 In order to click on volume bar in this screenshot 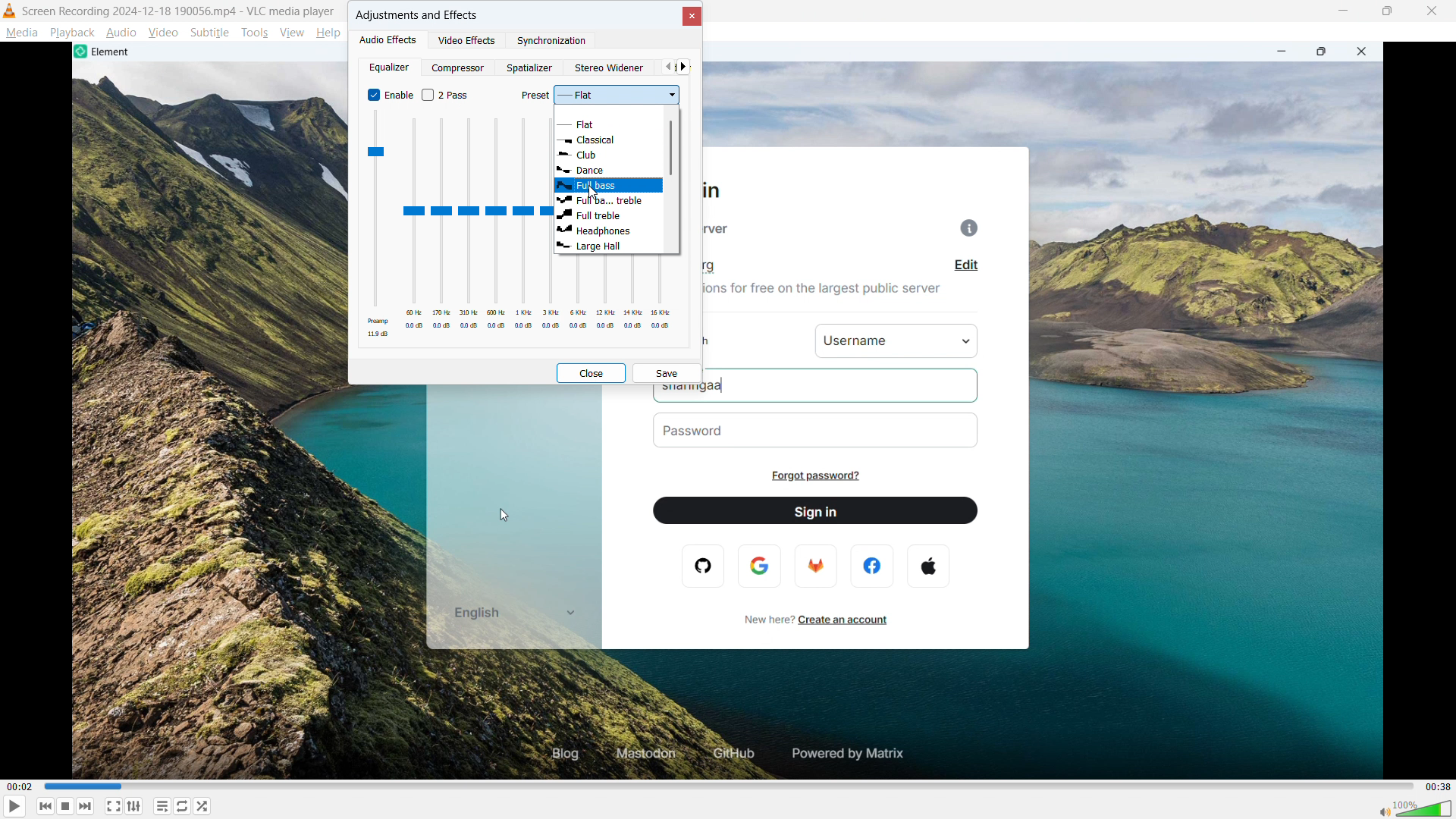, I will do `click(1412, 808)`.